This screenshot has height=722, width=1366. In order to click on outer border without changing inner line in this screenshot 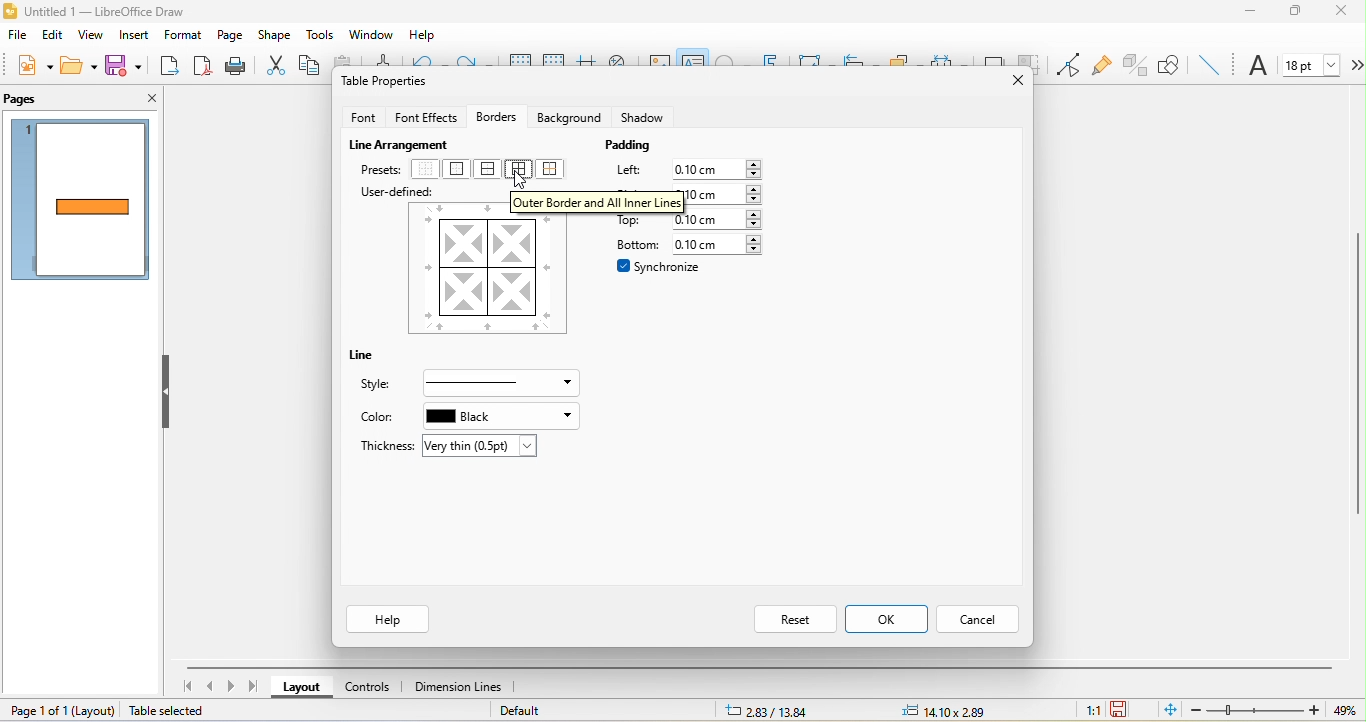, I will do `click(555, 168)`.